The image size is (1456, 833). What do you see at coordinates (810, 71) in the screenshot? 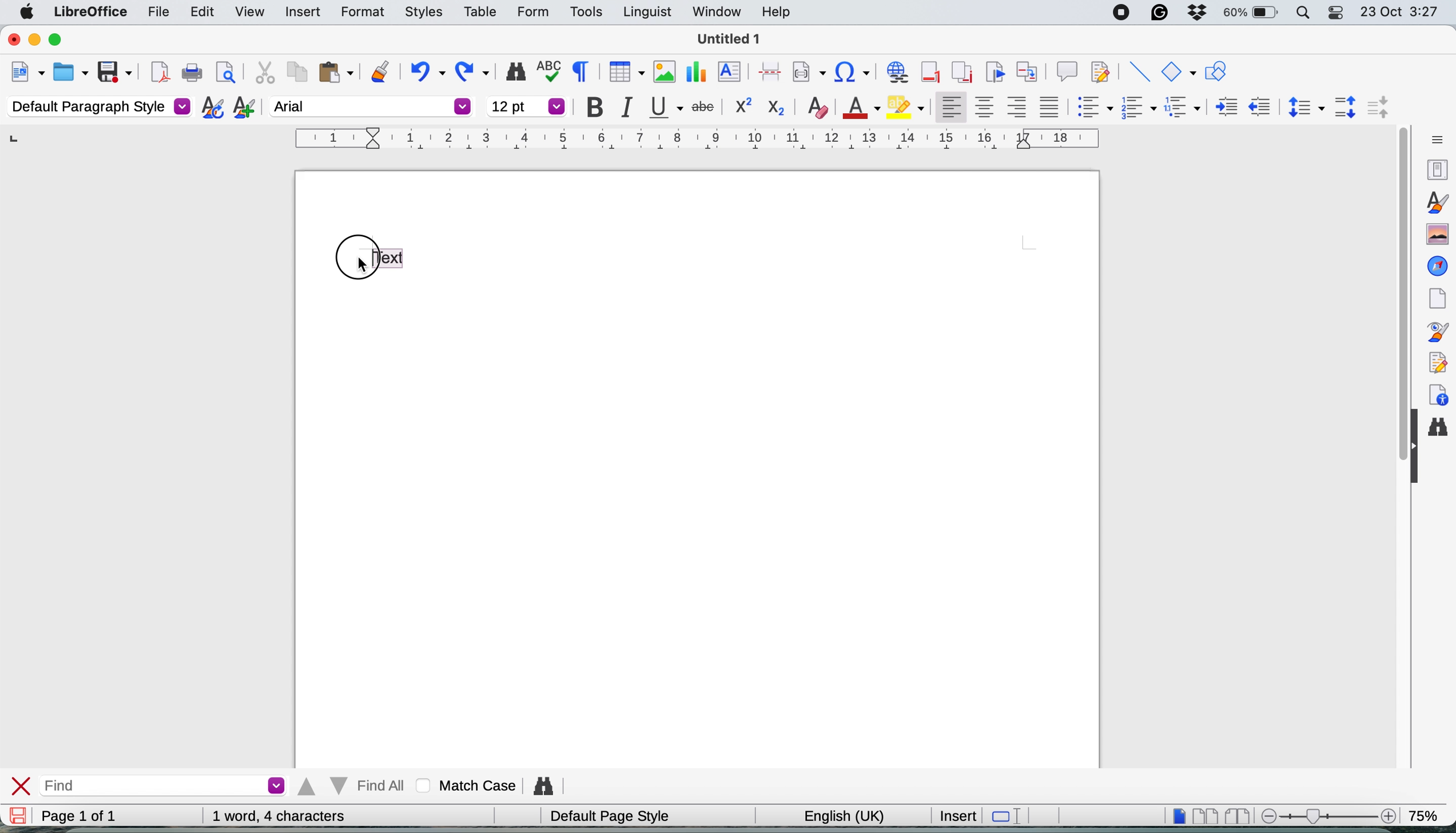
I see `insert field` at bounding box center [810, 71].